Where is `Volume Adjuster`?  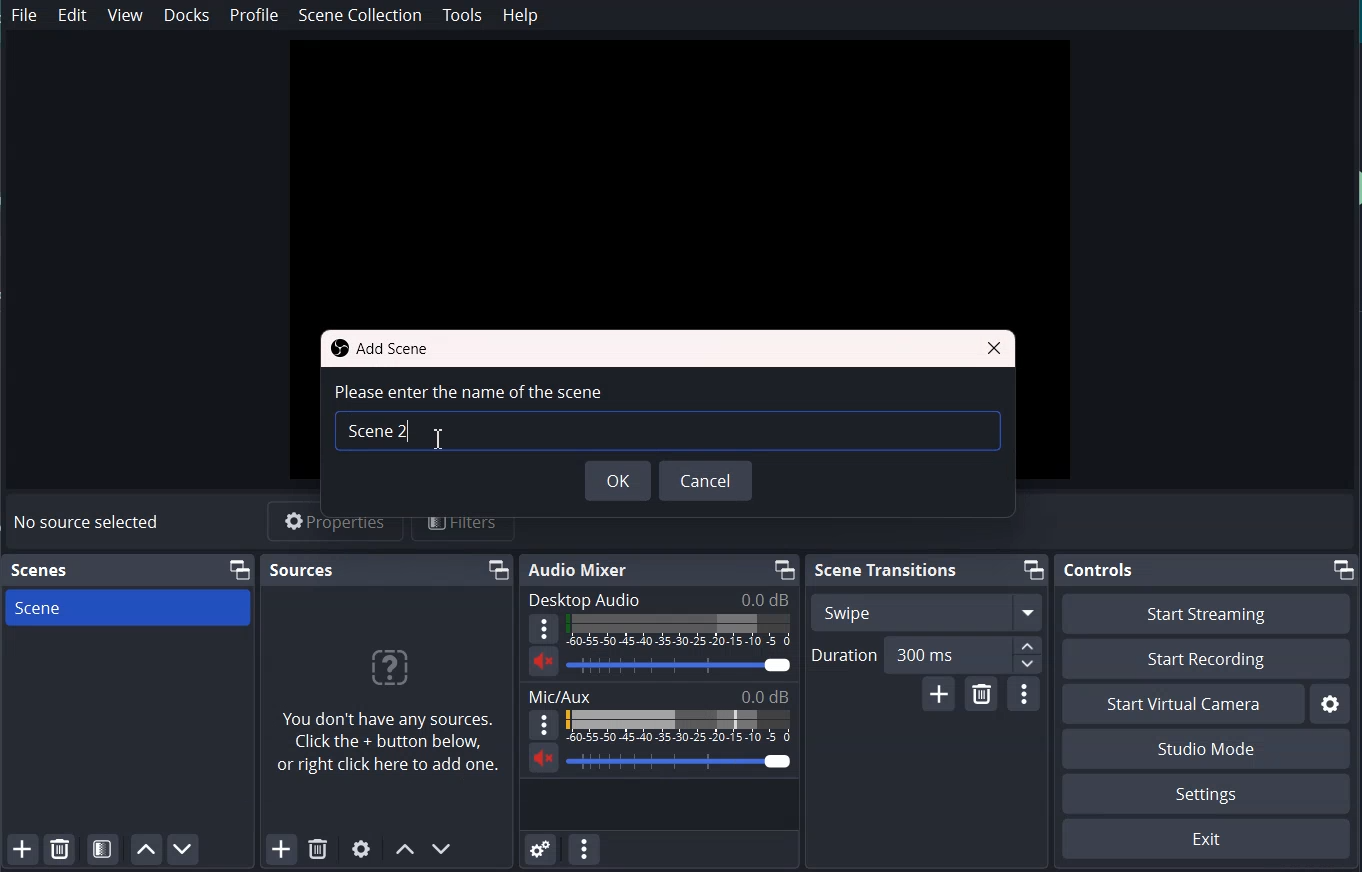 Volume Adjuster is located at coordinates (683, 761).